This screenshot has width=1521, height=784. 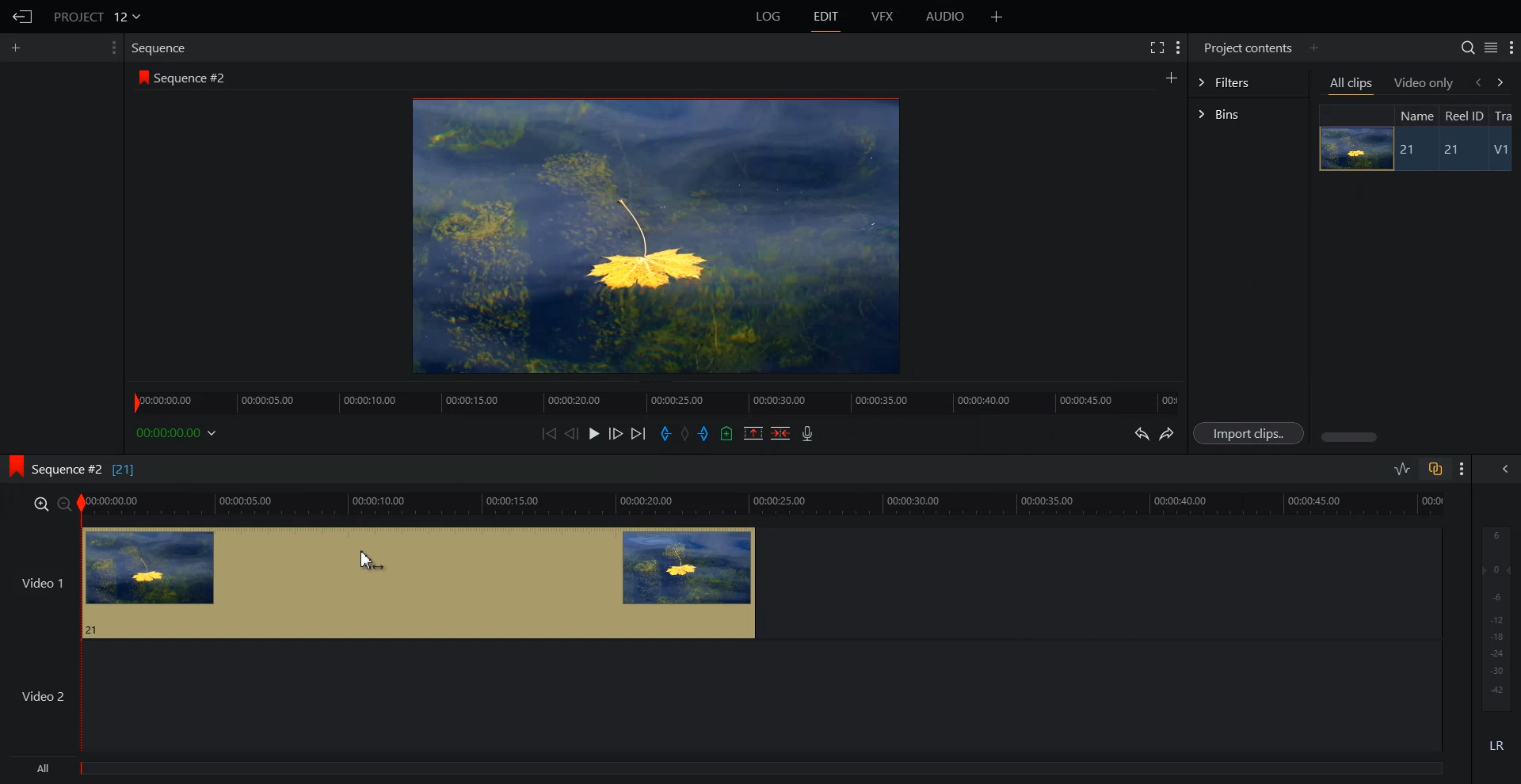 I want to click on Sequence #2 [21], so click(x=85, y=470).